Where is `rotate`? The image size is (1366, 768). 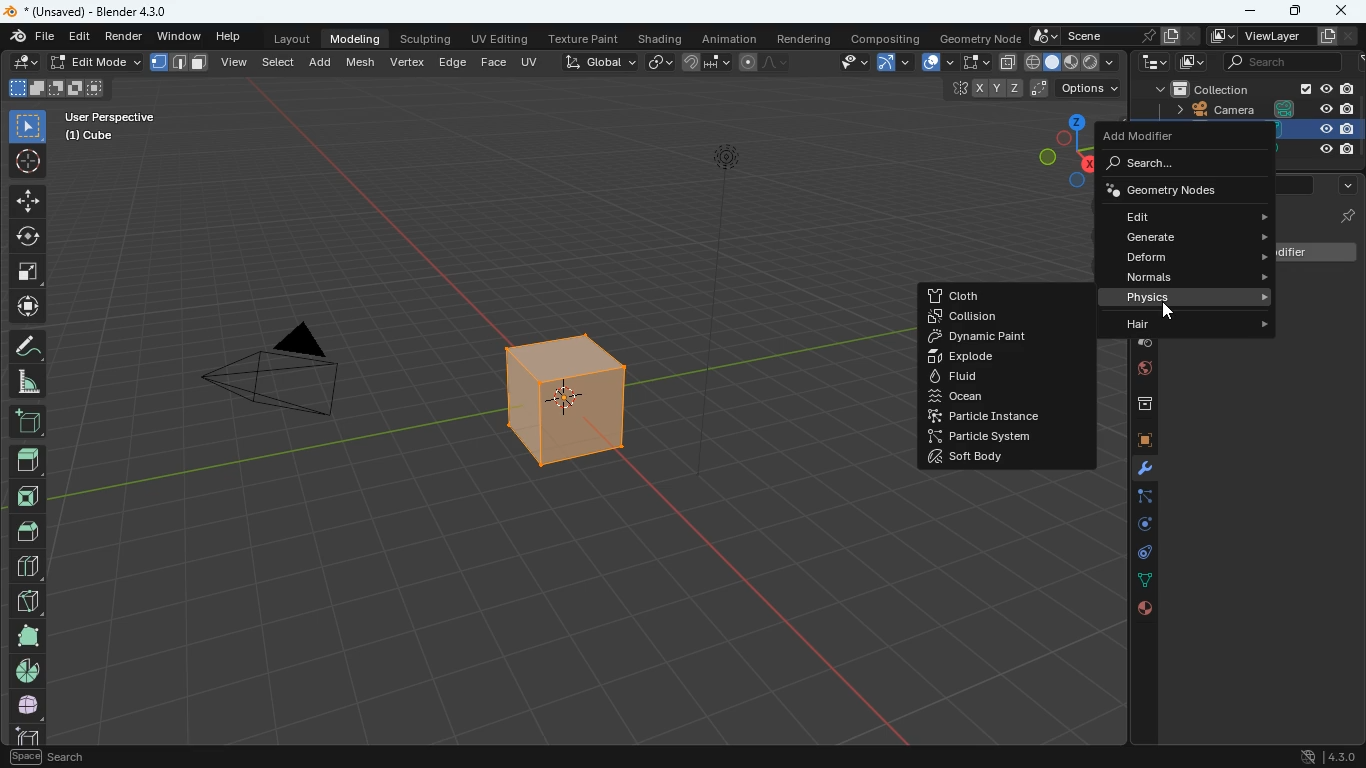
rotate is located at coordinates (26, 236).